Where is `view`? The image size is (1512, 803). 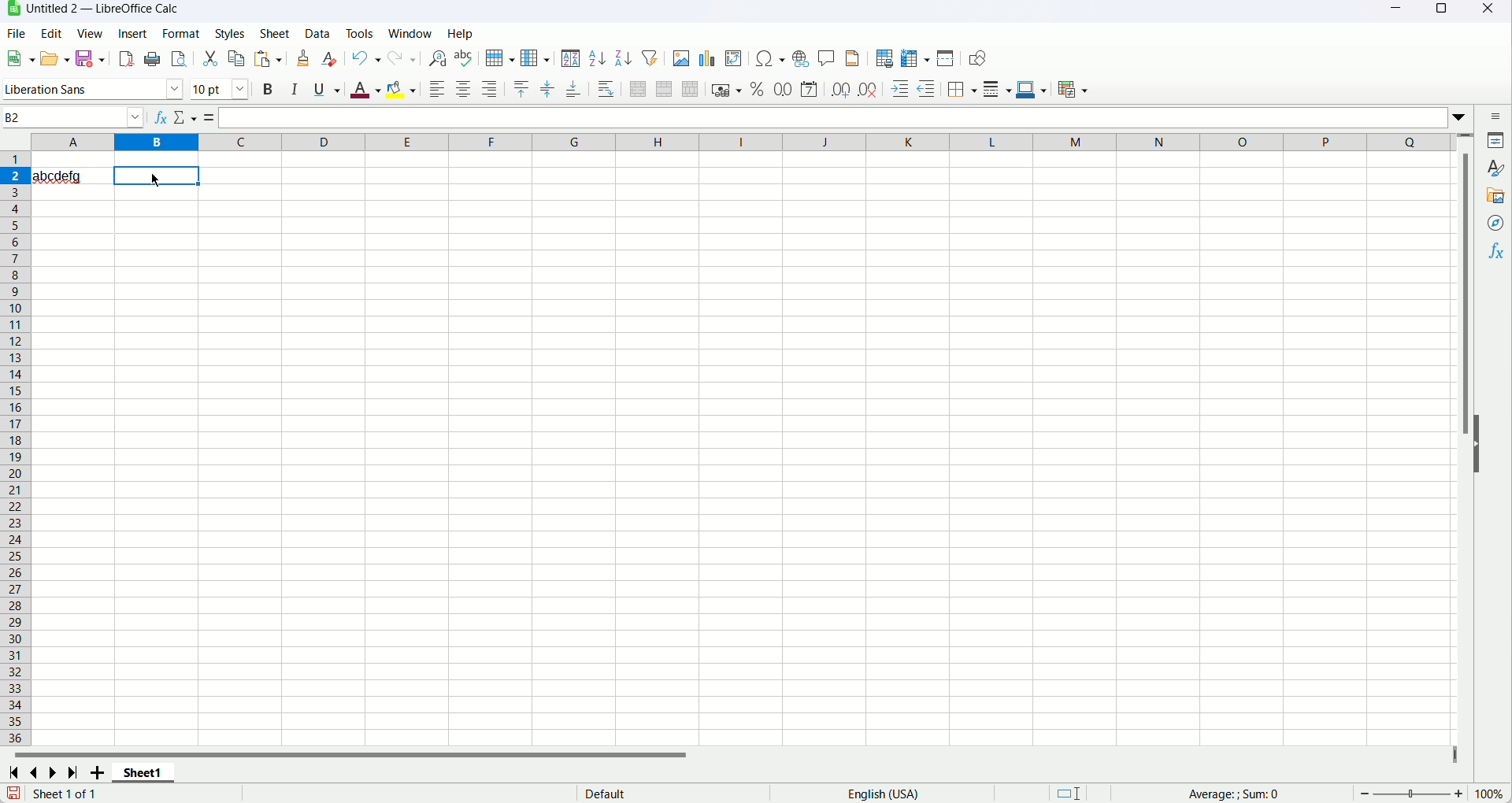
view is located at coordinates (91, 32).